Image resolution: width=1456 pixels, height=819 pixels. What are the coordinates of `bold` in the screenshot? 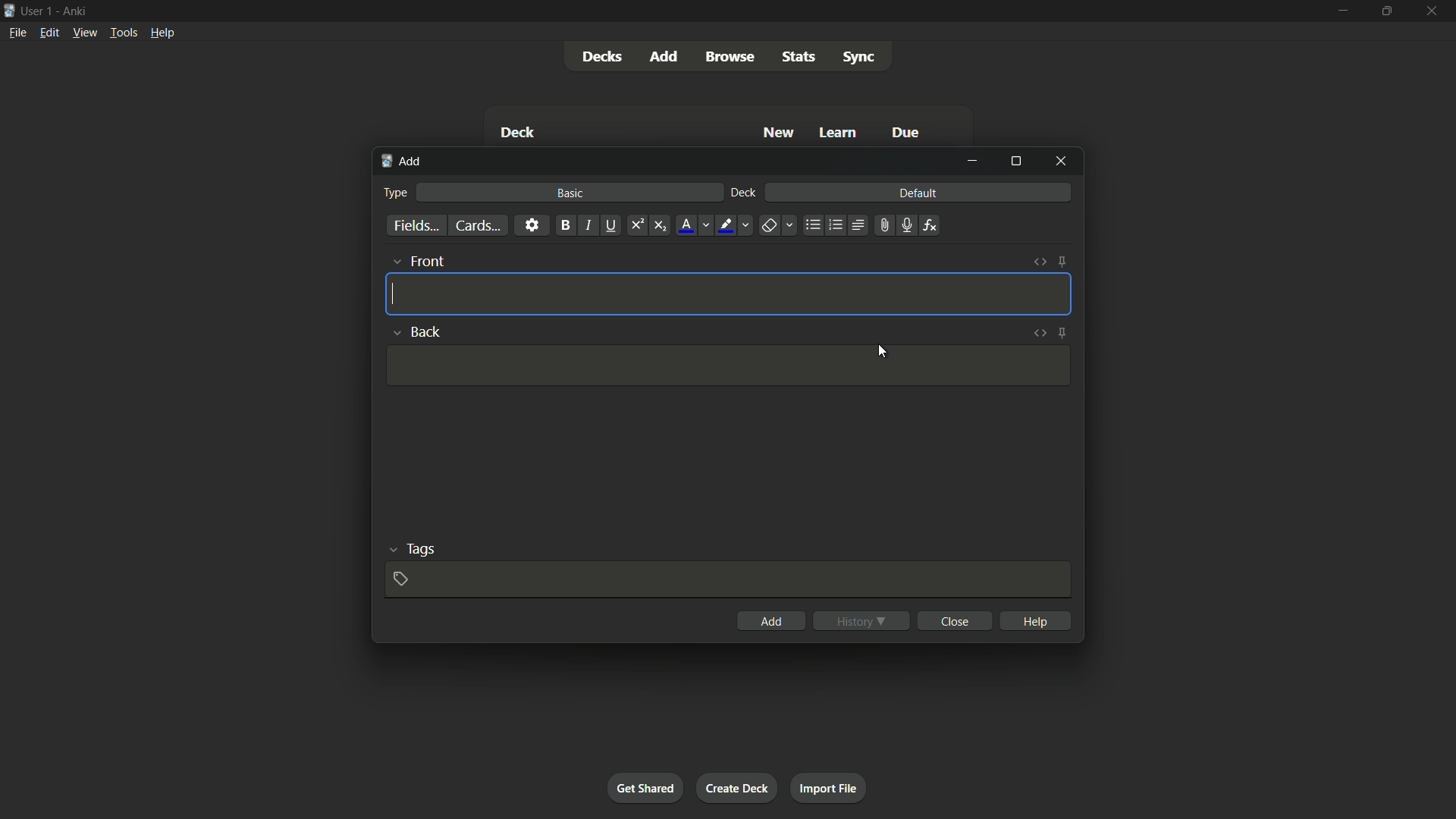 It's located at (564, 224).